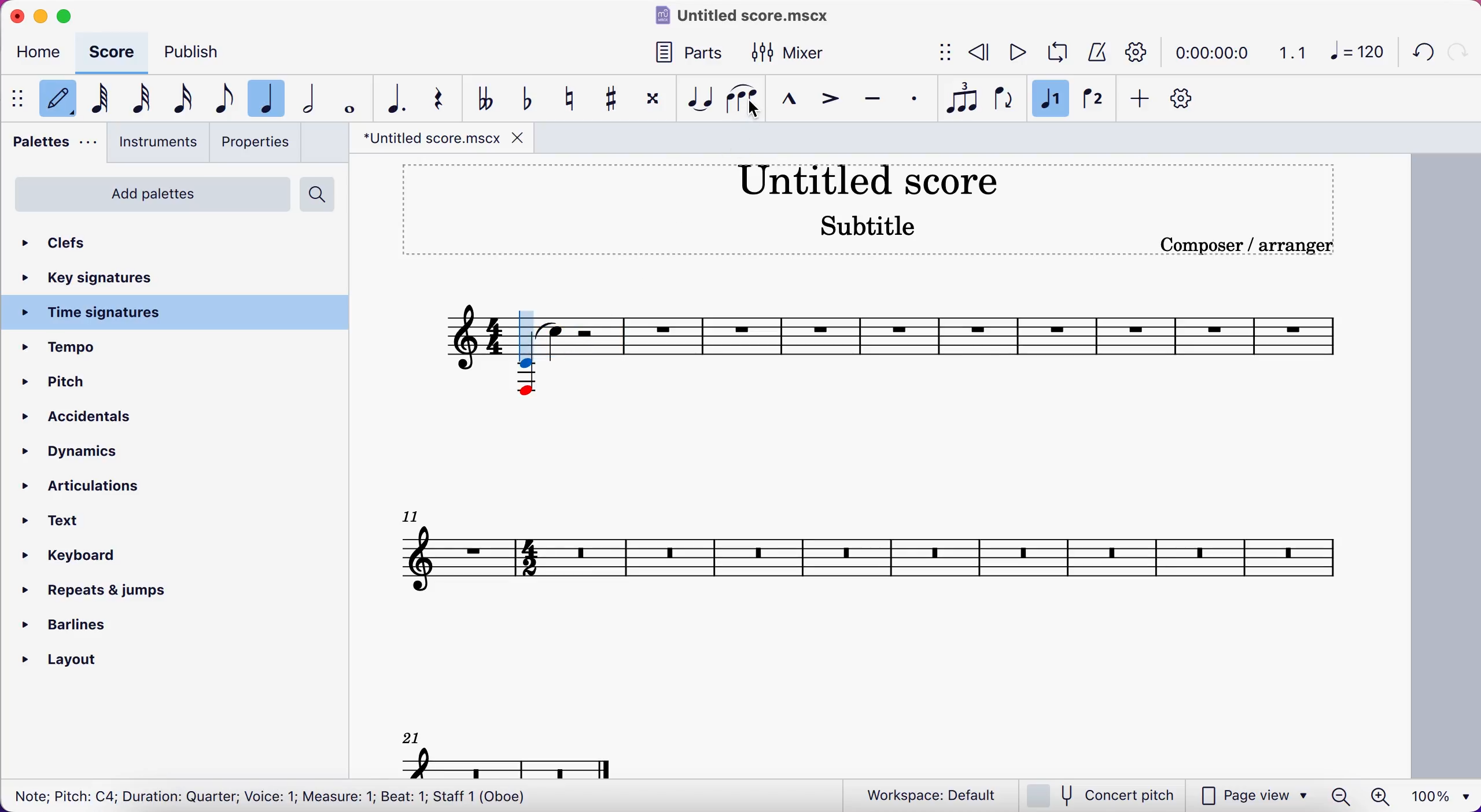  Describe the element at coordinates (97, 591) in the screenshot. I see `repeats and jumps` at that location.